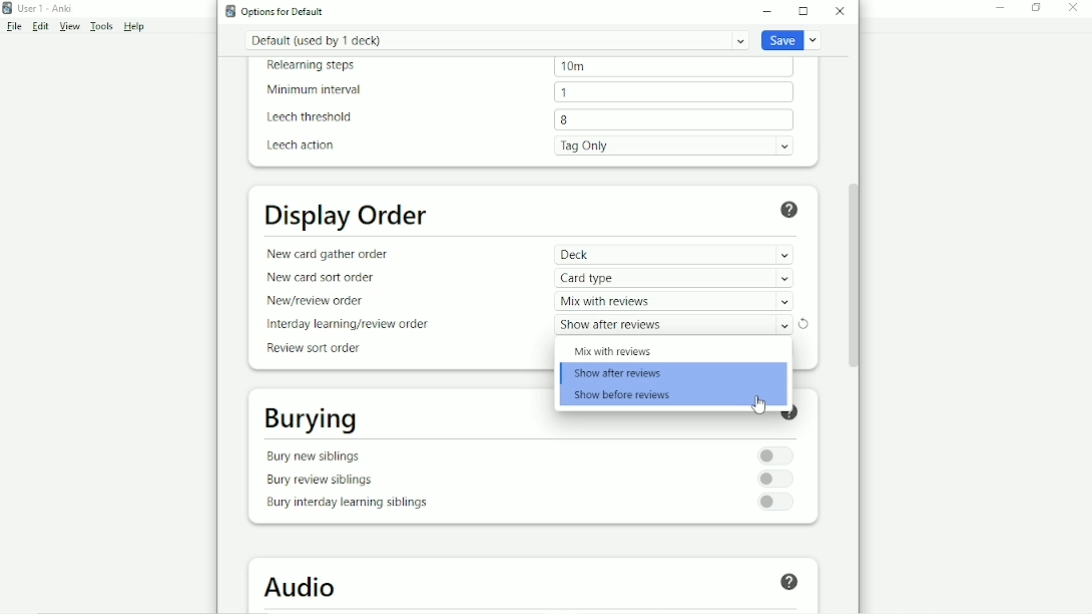  Describe the element at coordinates (760, 405) in the screenshot. I see `Cursor` at that location.